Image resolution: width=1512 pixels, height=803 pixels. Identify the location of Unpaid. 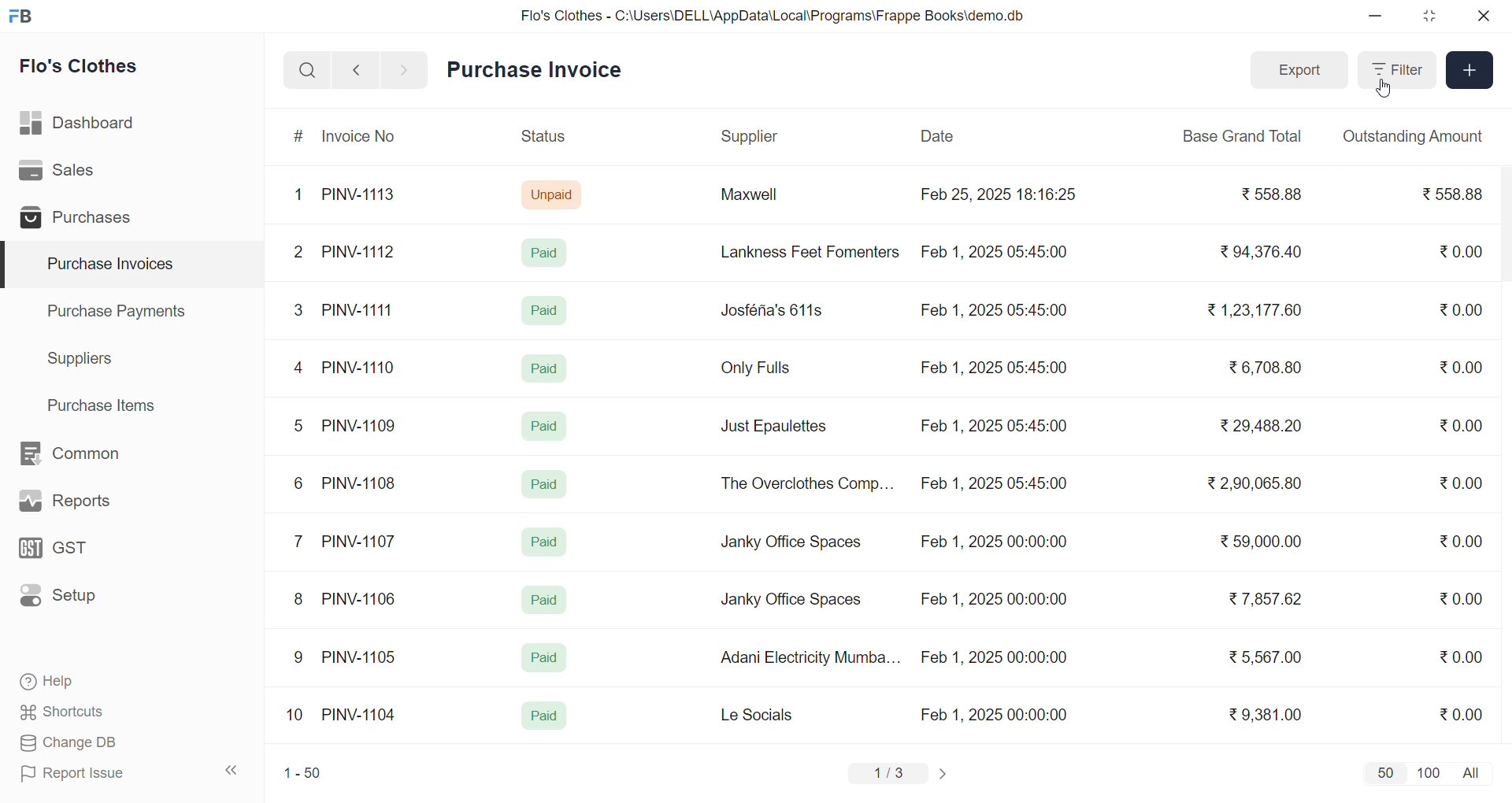
(554, 194).